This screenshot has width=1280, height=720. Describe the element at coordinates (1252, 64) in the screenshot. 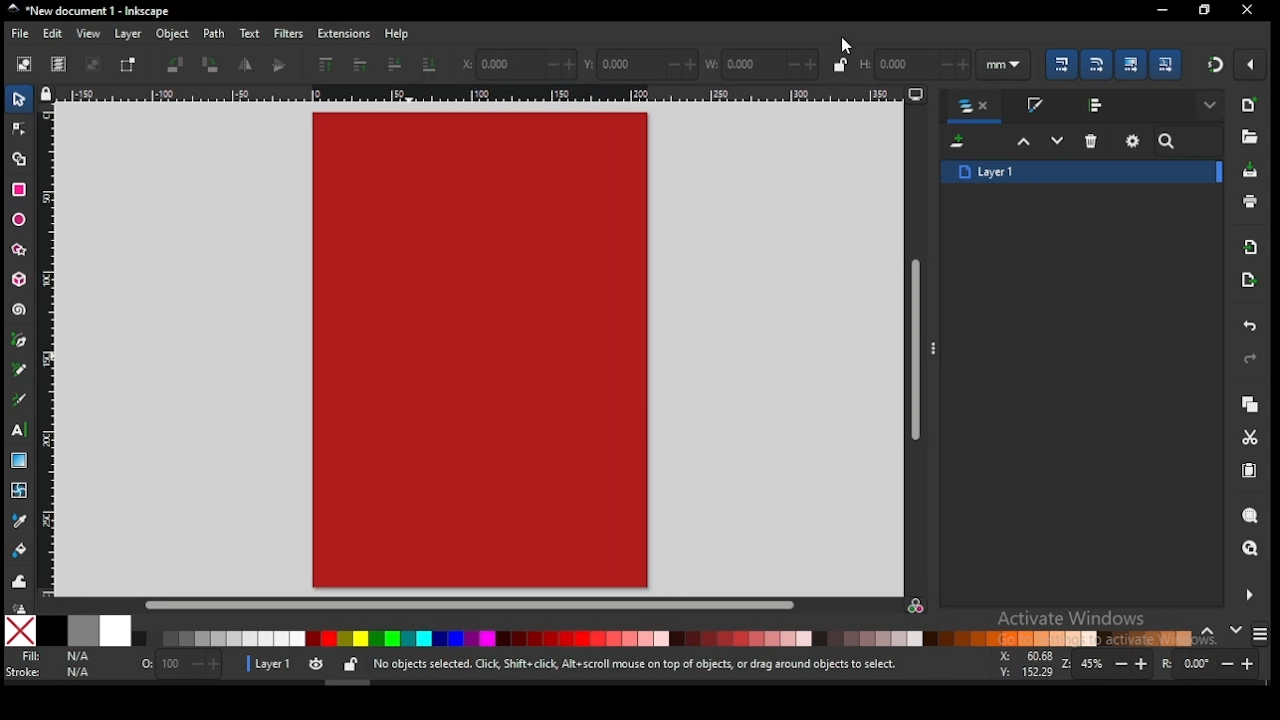

I see `snap options` at that location.